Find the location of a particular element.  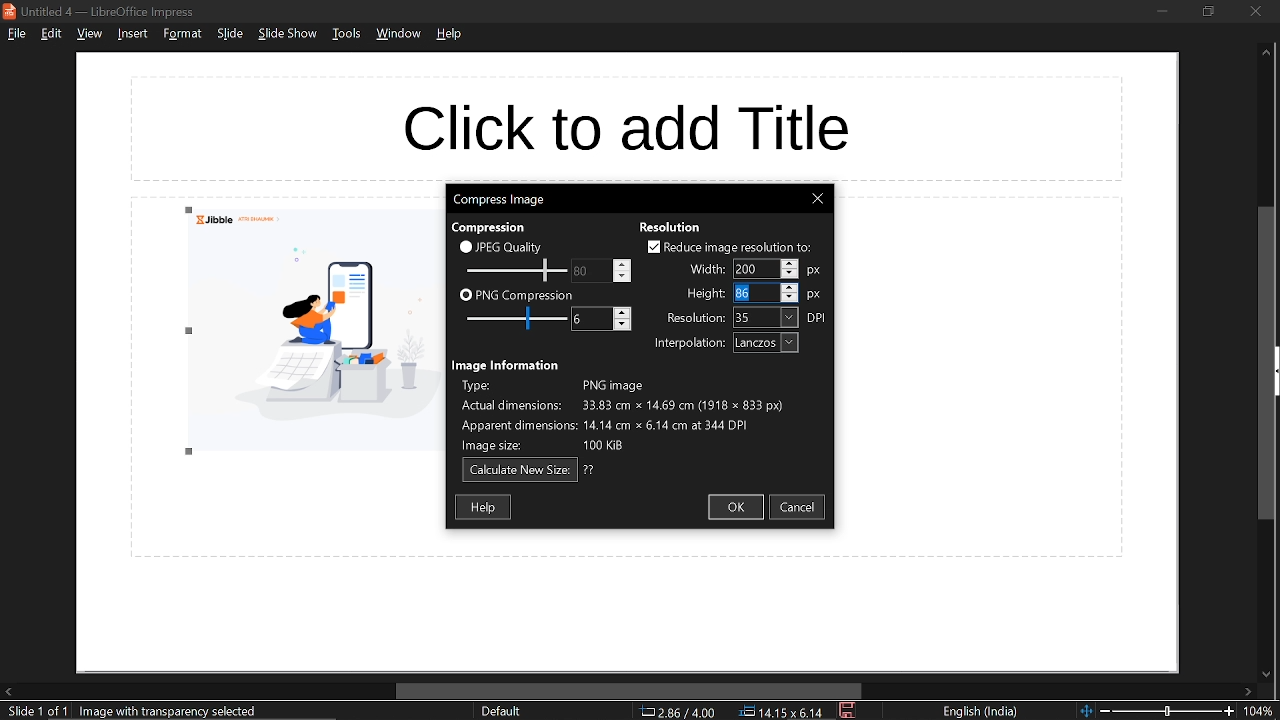

resolution unit: DPI is located at coordinates (818, 318).